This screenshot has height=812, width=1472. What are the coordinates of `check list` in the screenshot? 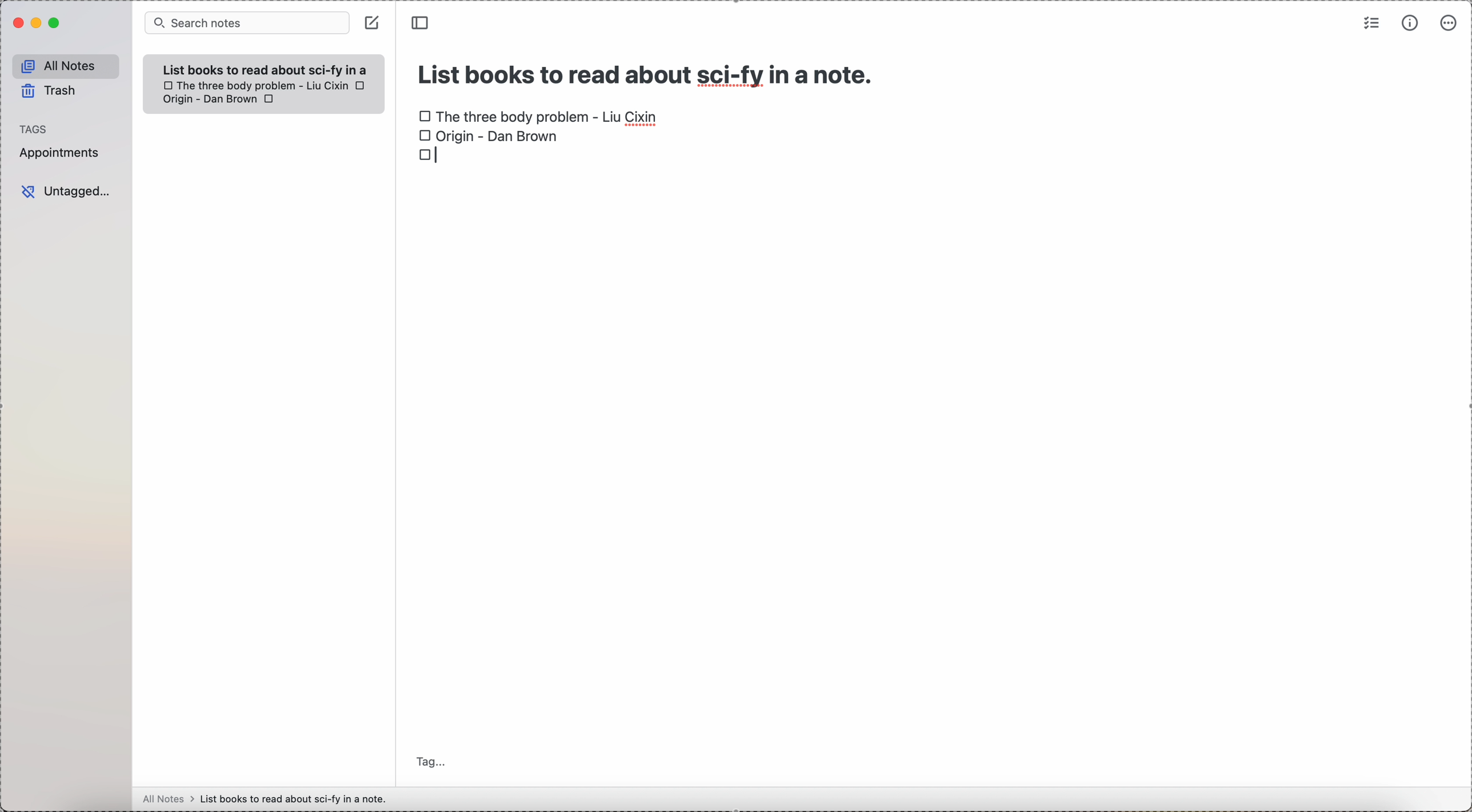 It's located at (1371, 23).